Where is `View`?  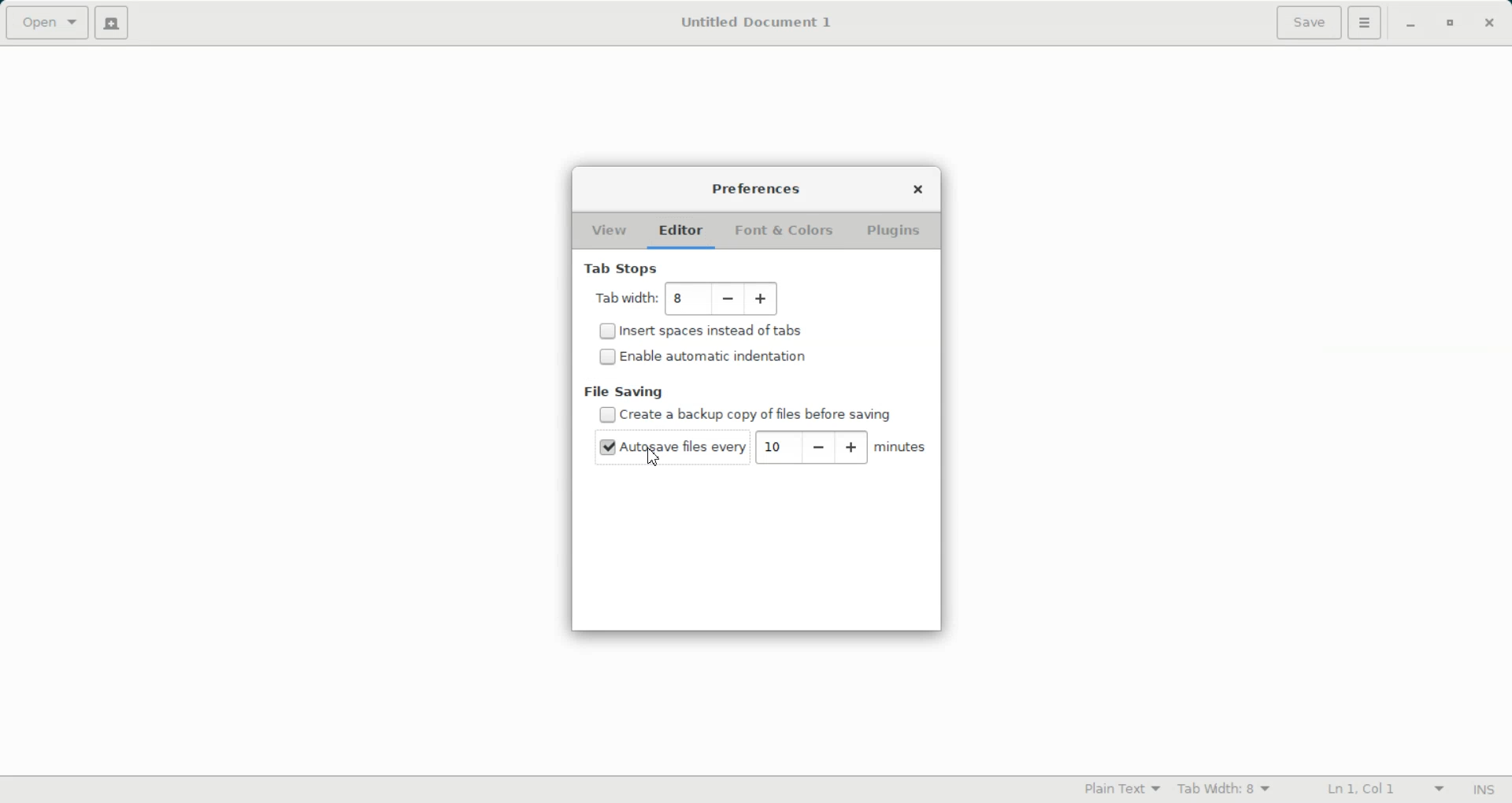 View is located at coordinates (610, 231).